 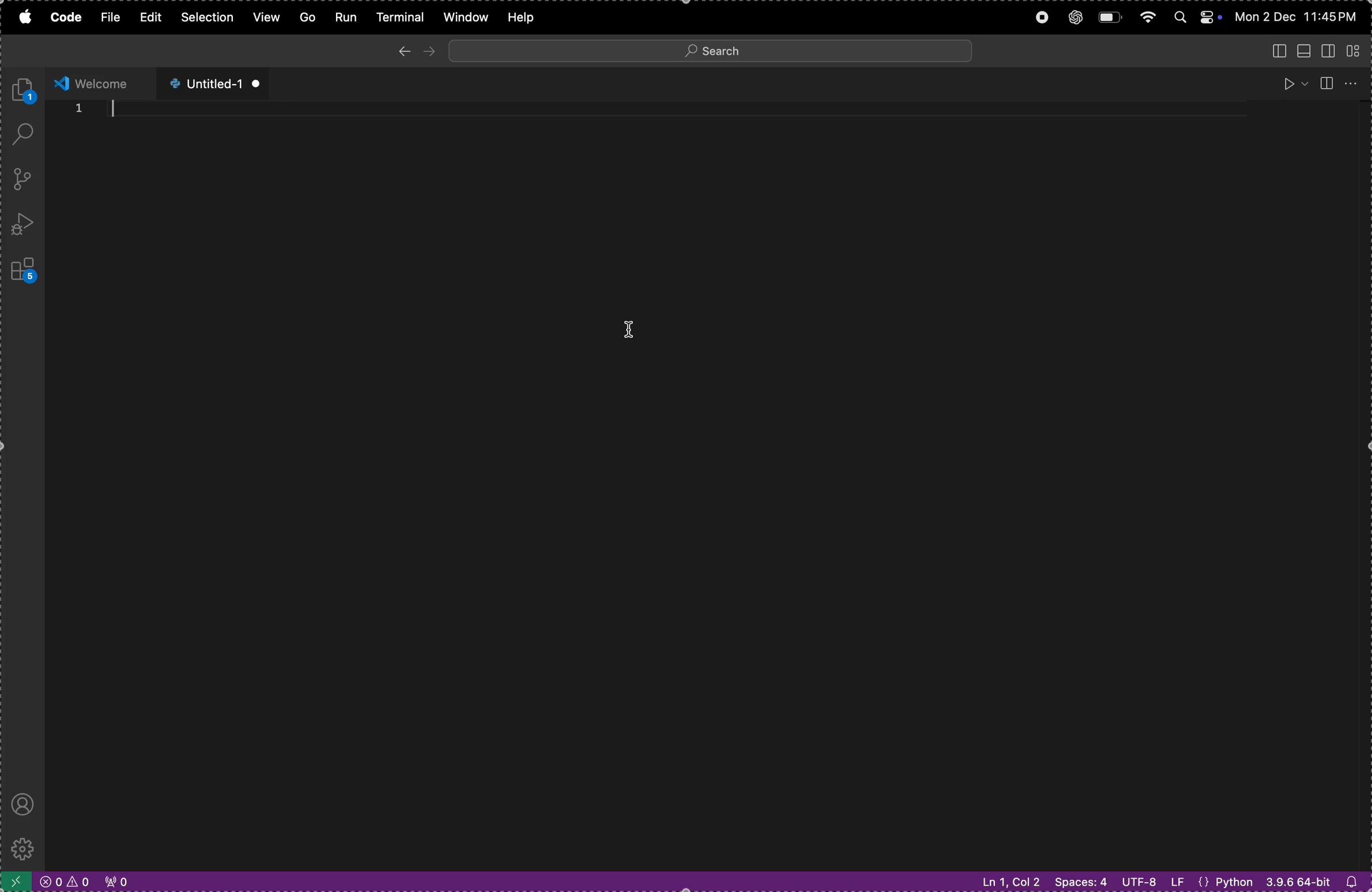 What do you see at coordinates (1275, 50) in the screenshot?
I see `toggle primary side bar` at bounding box center [1275, 50].